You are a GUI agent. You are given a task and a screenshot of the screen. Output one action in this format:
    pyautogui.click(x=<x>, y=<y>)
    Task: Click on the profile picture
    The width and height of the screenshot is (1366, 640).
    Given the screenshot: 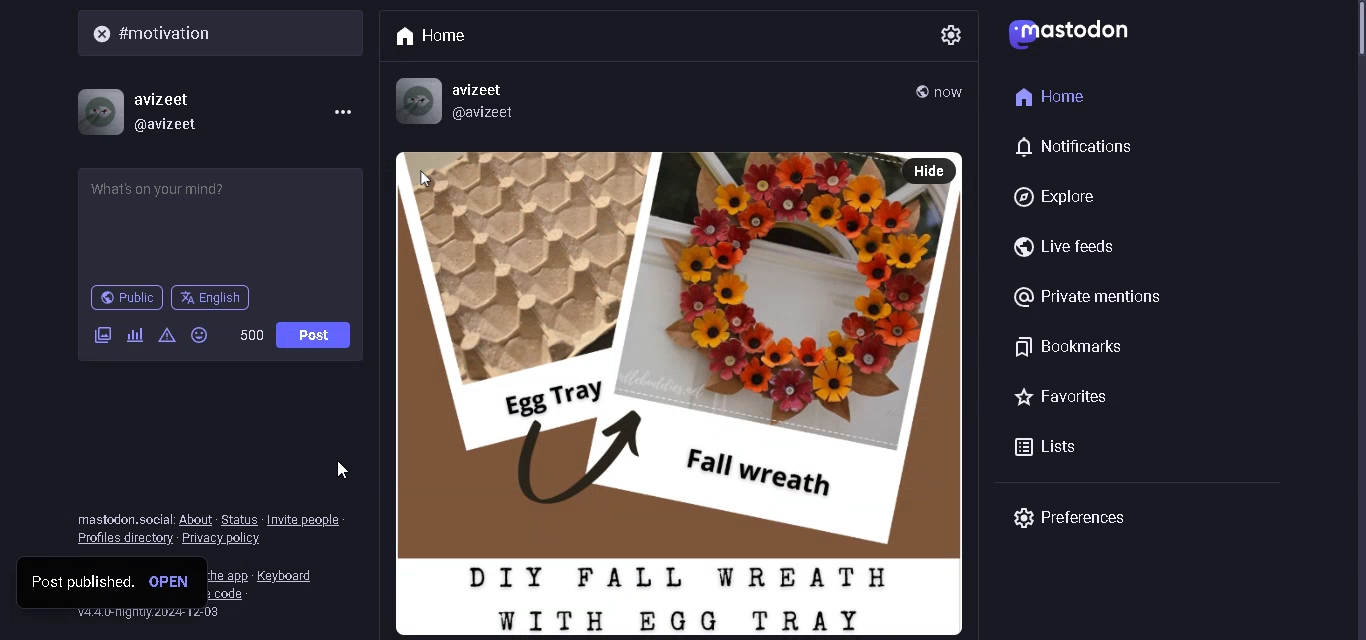 What is the action you would take?
    pyautogui.click(x=99, y=108)
    